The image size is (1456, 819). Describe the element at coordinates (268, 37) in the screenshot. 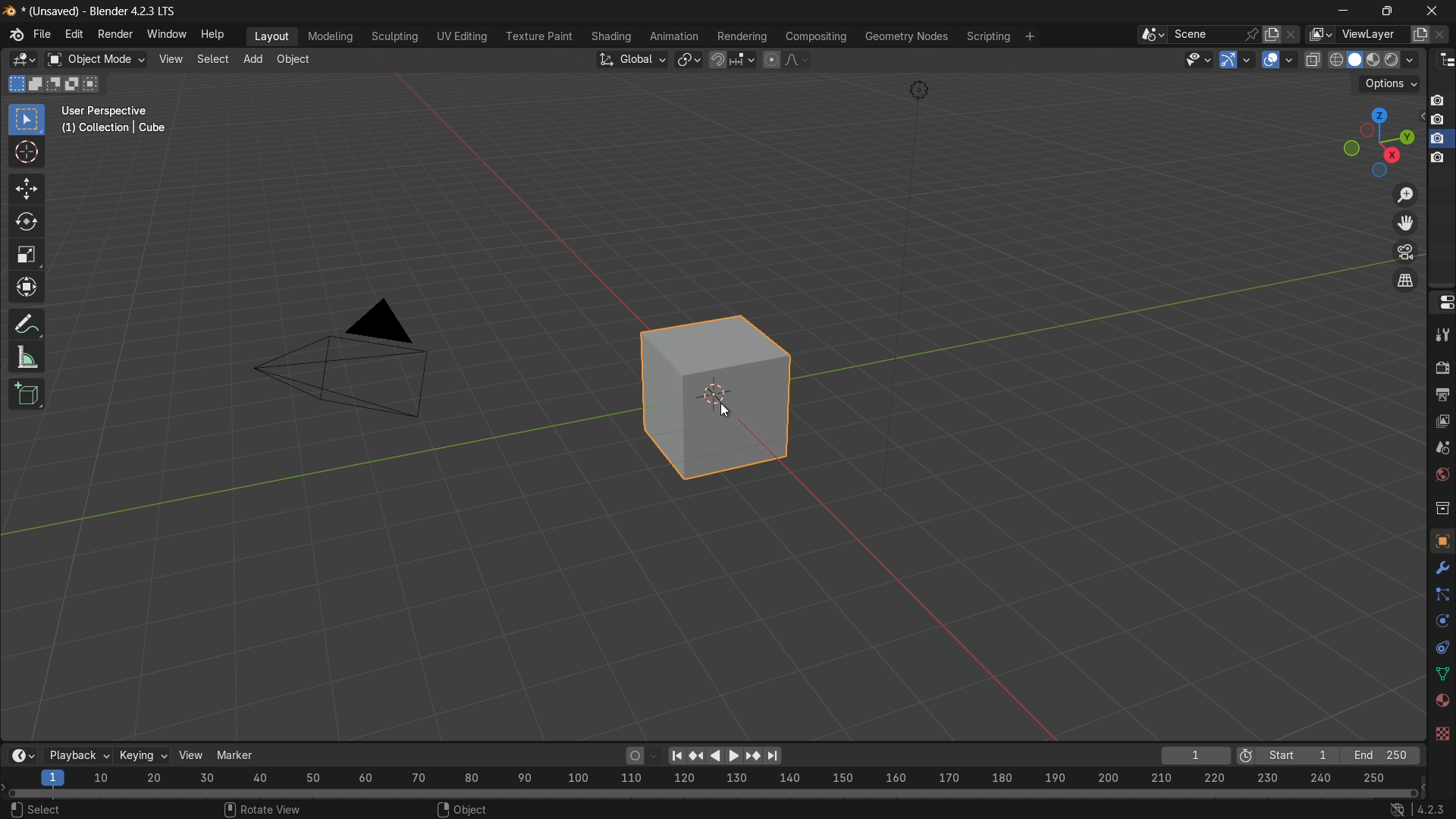

I see `layout menu` at that location.